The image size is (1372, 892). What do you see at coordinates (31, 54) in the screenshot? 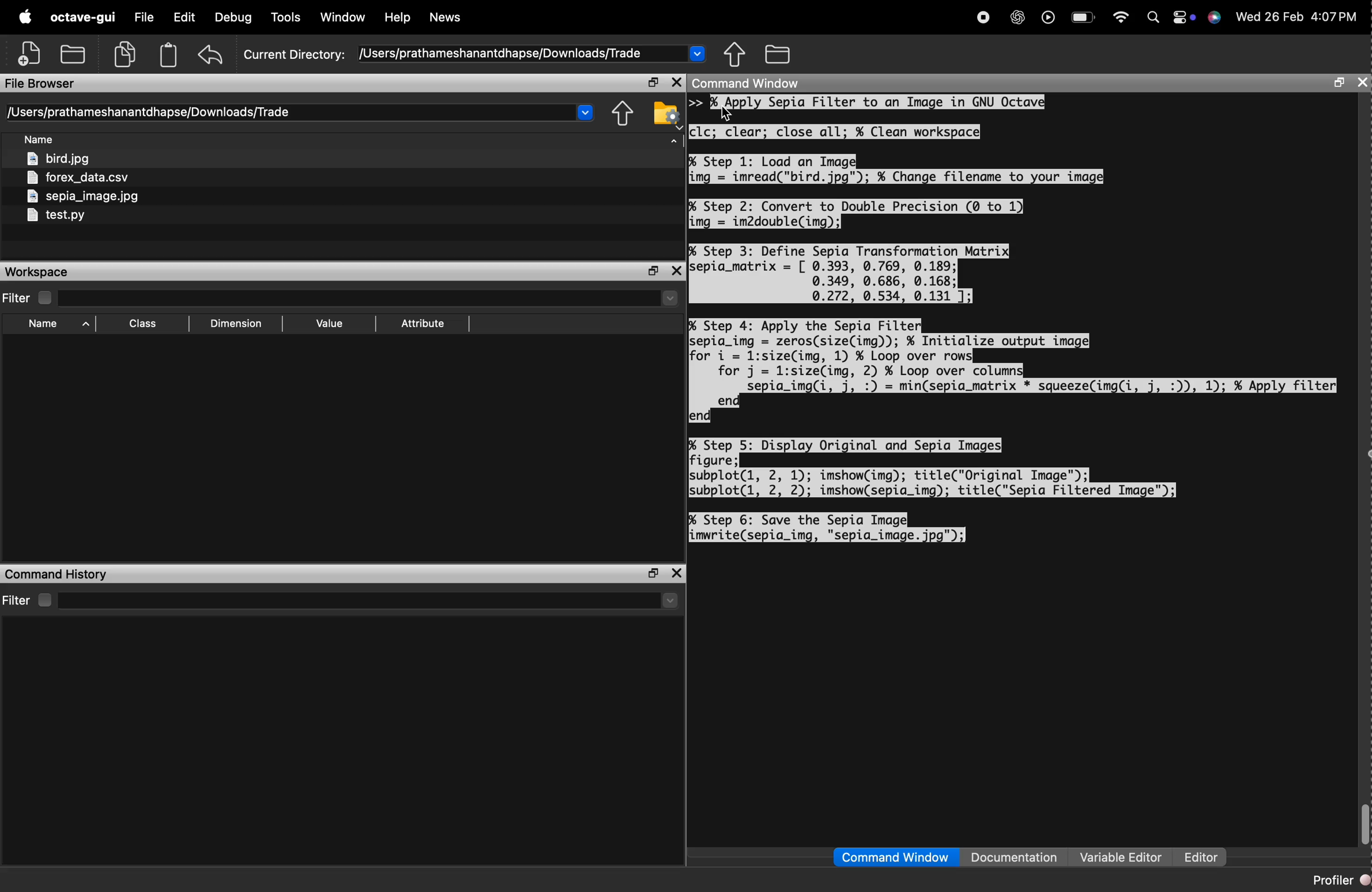
I see `add file` at bounding box center [31, 54].